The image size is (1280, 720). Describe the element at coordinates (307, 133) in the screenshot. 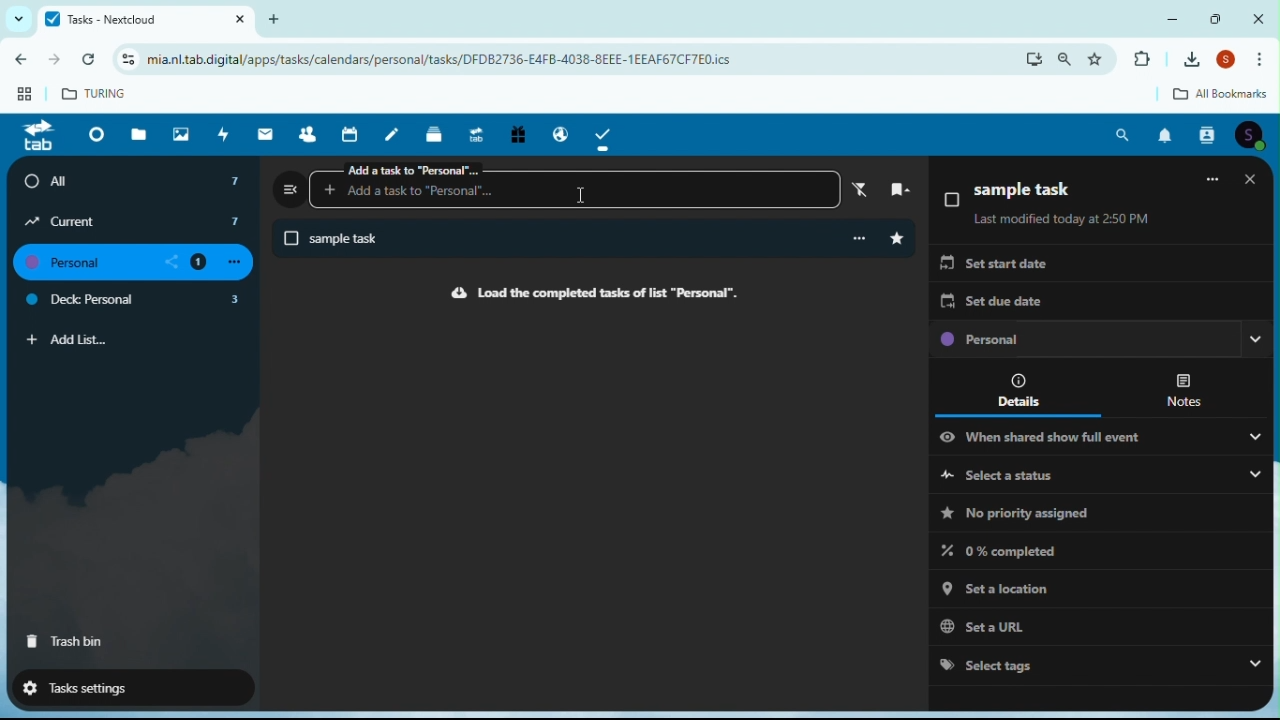

I see `Contacts` at that location.